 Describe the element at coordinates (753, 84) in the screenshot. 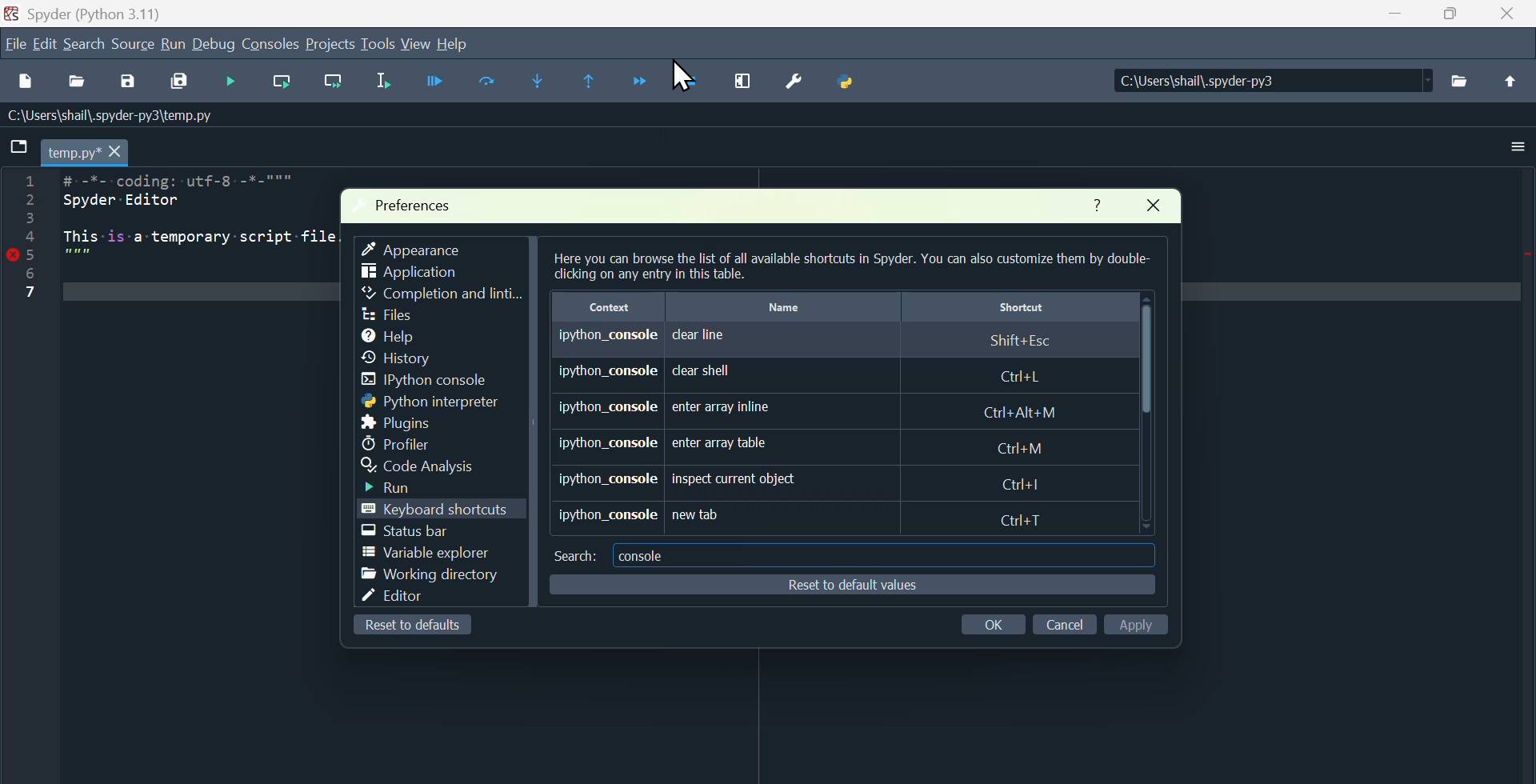

I see `maximise current window` at that location.